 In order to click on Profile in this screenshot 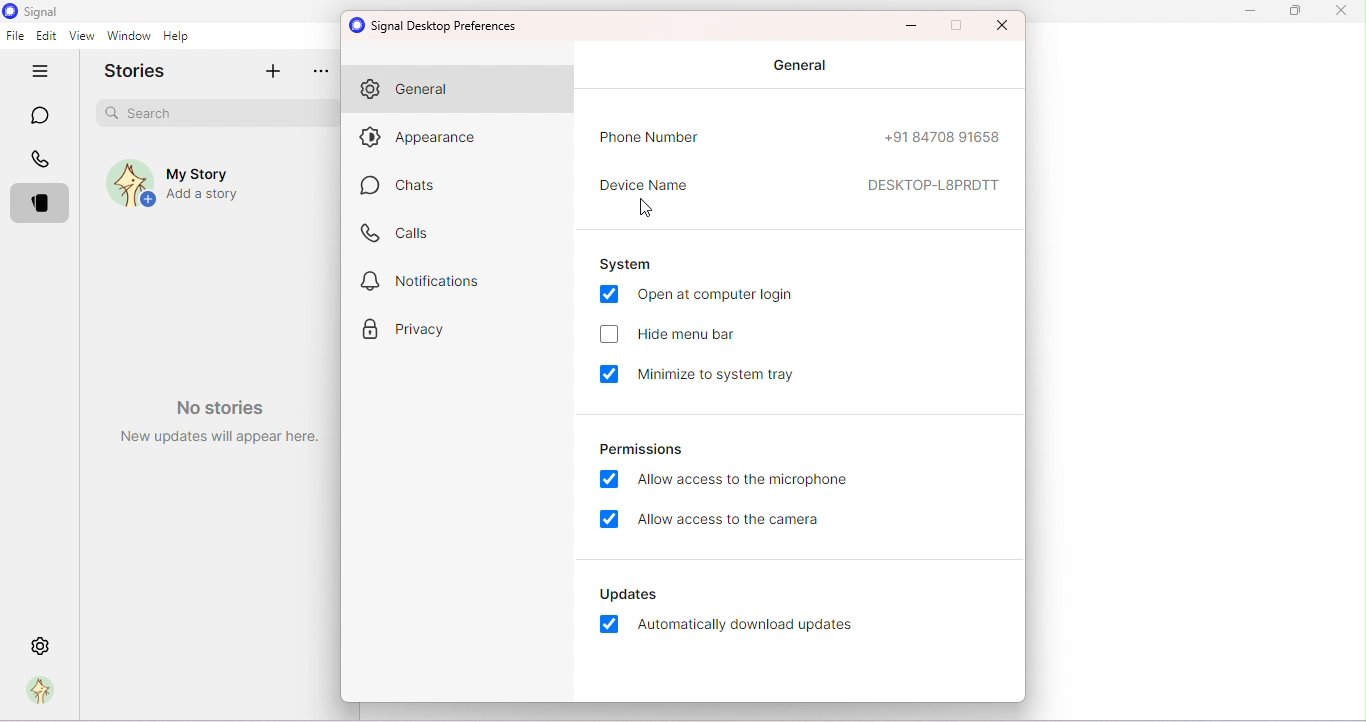, I will do `click(45, 693)`.